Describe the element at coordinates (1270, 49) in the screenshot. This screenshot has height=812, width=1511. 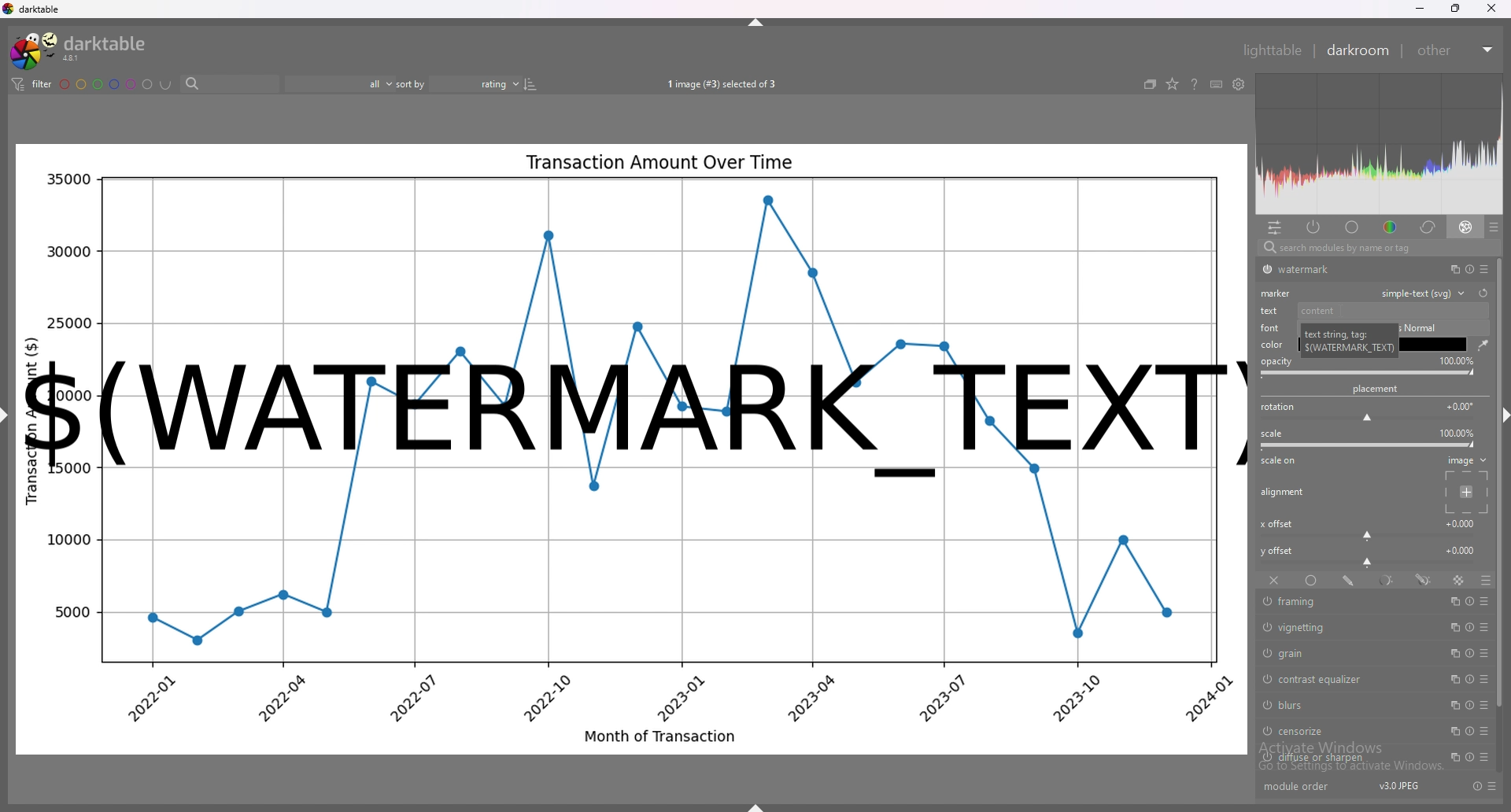
I see `lighttable` at that location.